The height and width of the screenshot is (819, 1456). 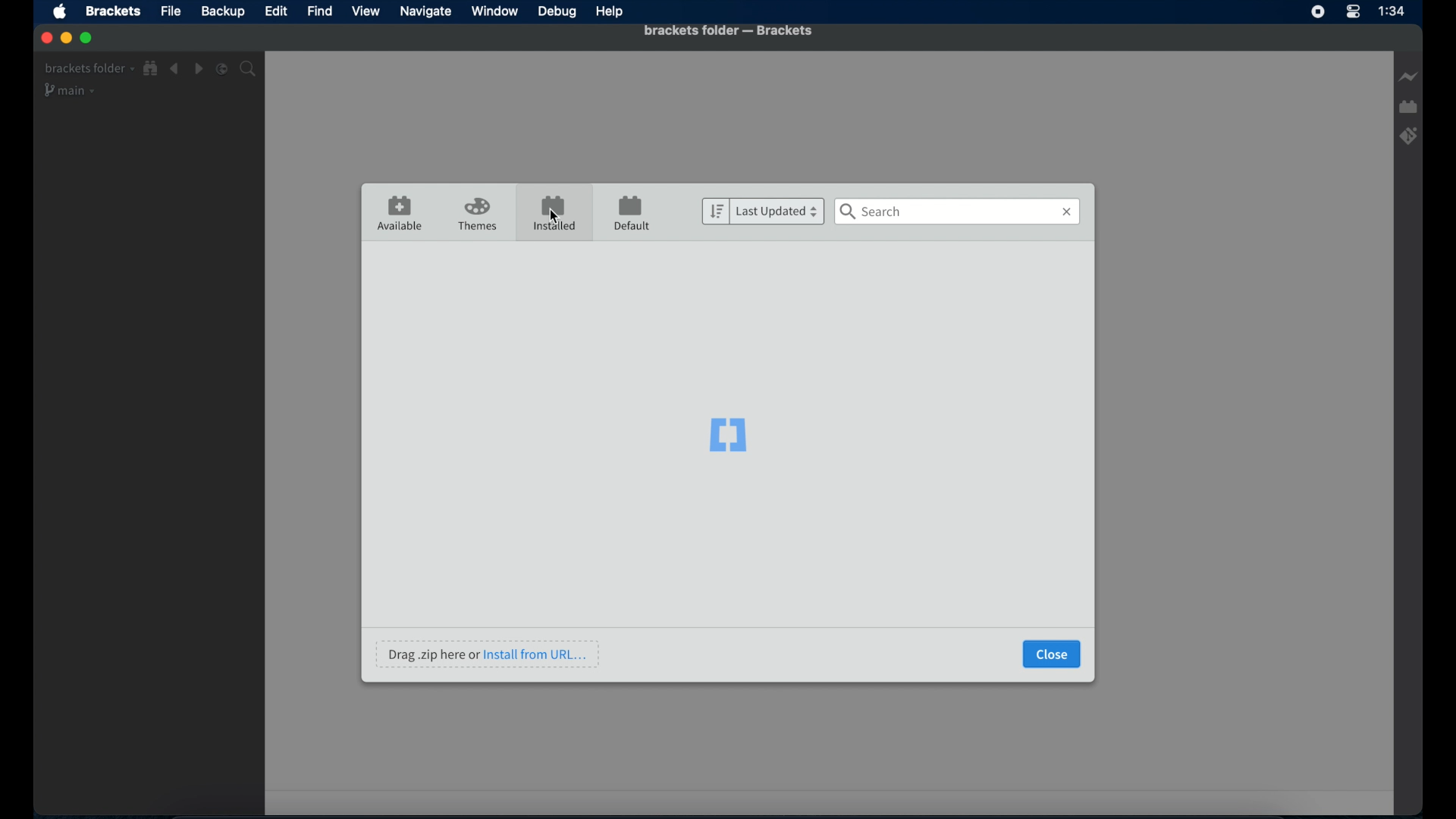 What do you see at coordinates (222, 70) in the screenshot?
I see `Split editor vertical or horizontal` at bounding box center [222, 70].